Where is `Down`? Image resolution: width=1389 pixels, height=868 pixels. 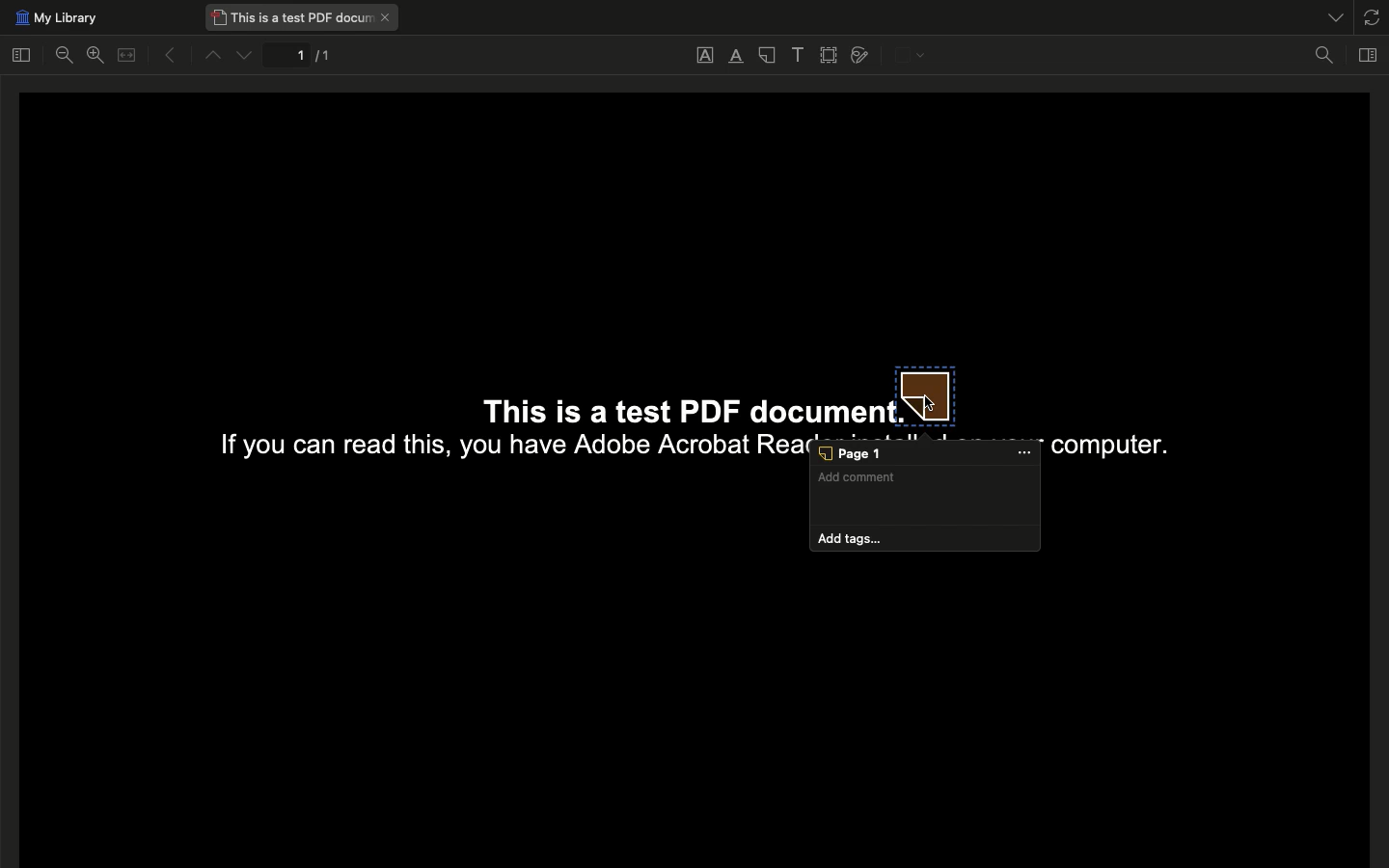
Down is located at coordinates (246, 56).